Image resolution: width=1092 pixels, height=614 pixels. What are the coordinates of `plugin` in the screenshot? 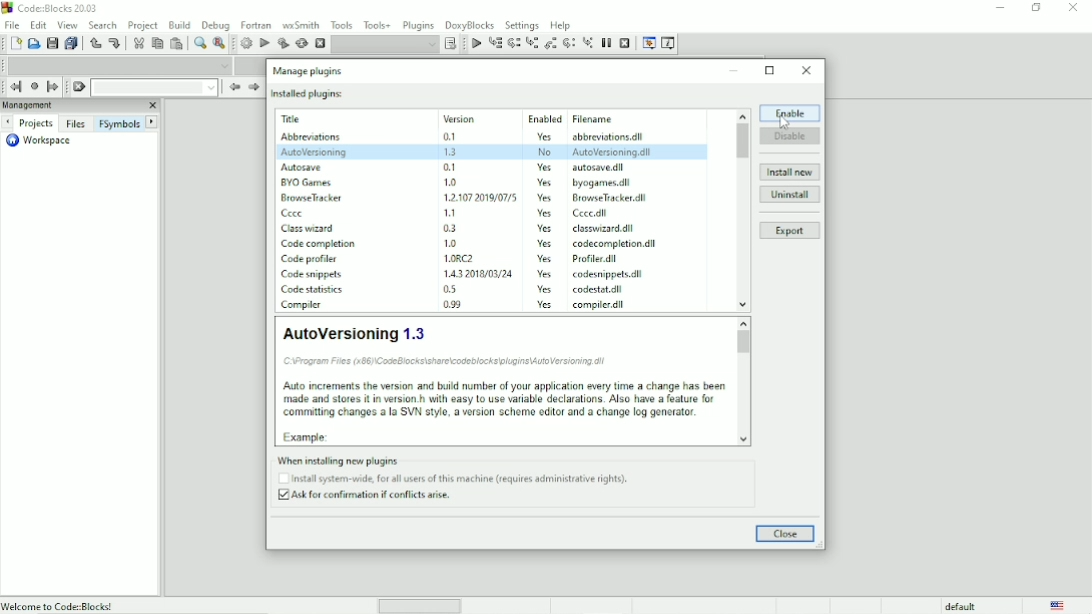 It's located at (313, 137).